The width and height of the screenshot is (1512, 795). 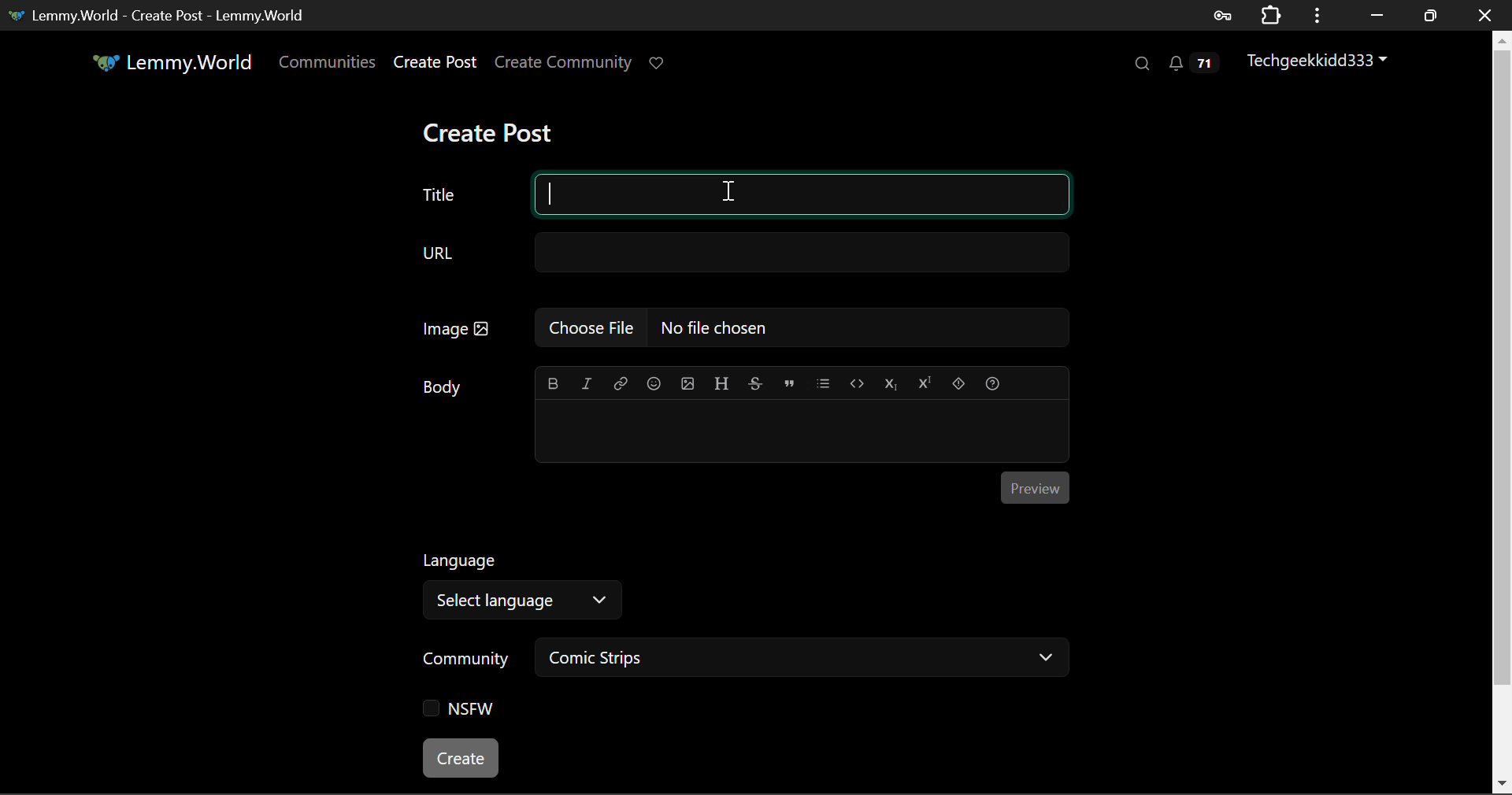 I want to click on Cursor Position, so click(x=740, y=192).